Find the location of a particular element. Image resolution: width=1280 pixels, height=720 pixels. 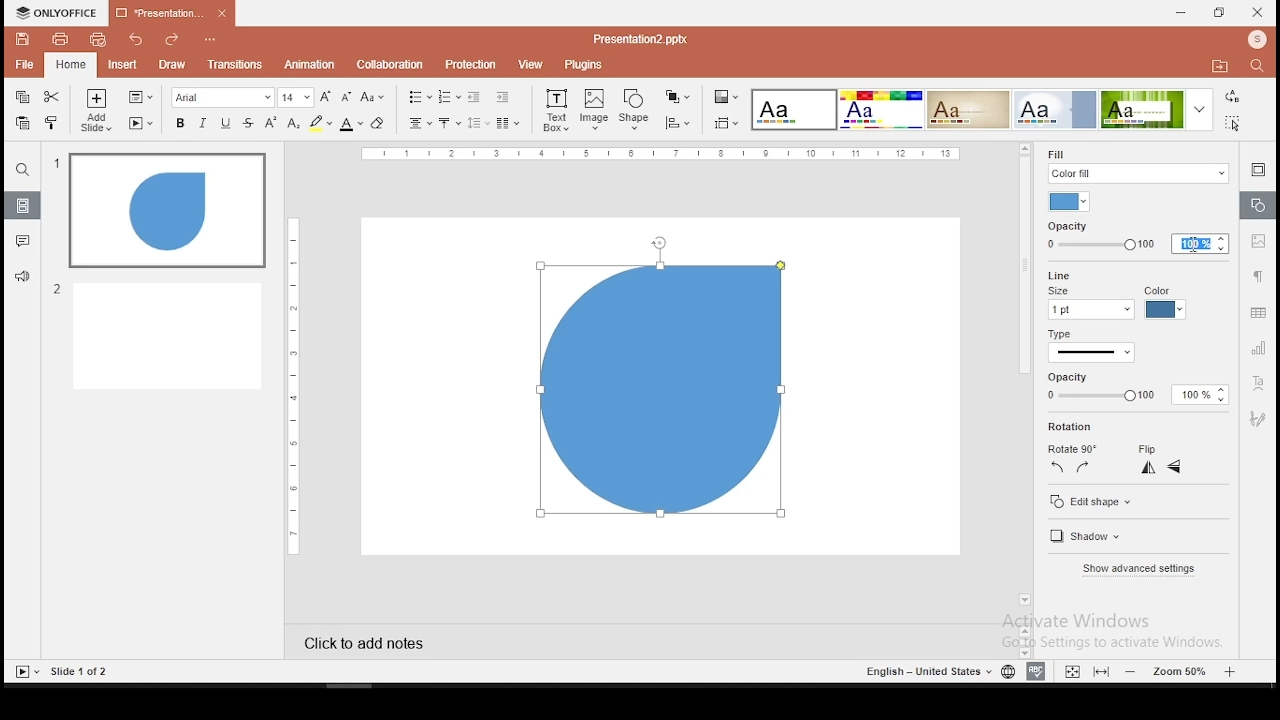

increase font size is located at coordinates (326, 96).